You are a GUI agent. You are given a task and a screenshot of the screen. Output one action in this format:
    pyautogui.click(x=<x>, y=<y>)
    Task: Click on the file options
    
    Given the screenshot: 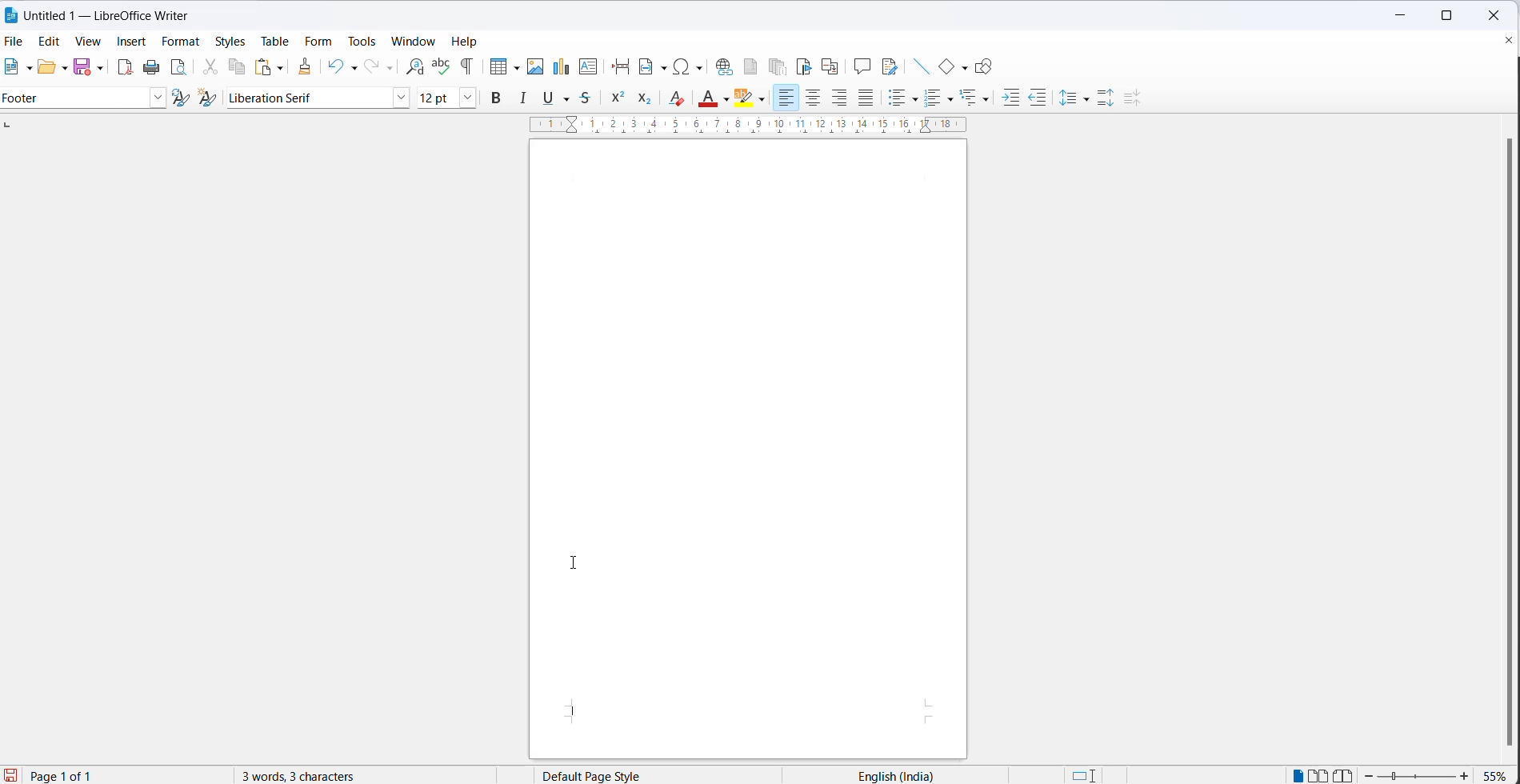 What is the action you would take?
    pyautogui.click(x=27, y=70)
    